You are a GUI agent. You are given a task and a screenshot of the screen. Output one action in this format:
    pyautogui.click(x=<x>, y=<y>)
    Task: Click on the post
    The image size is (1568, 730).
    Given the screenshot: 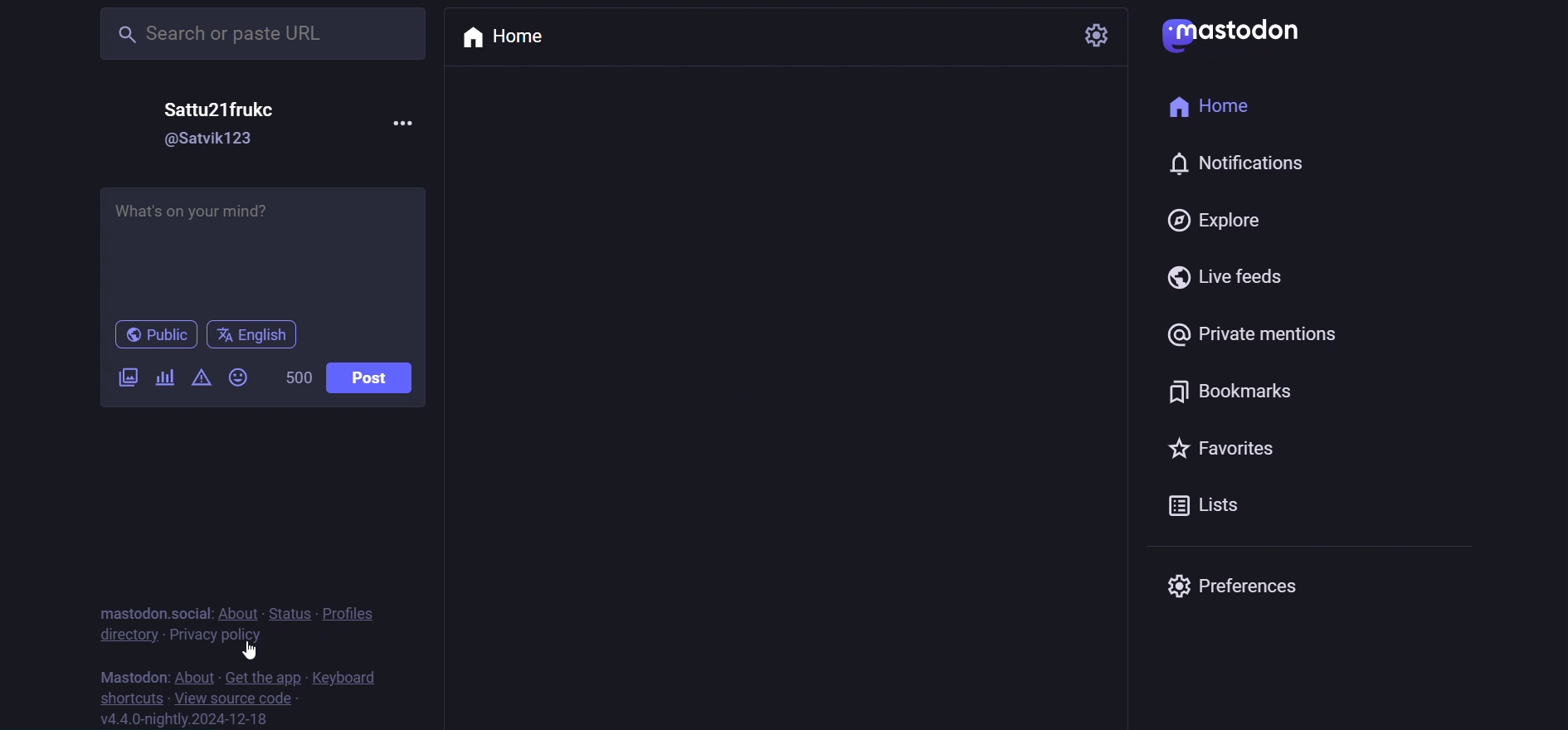 What is the action you would take?
    pyautogui.click(x=373, y=377)
    